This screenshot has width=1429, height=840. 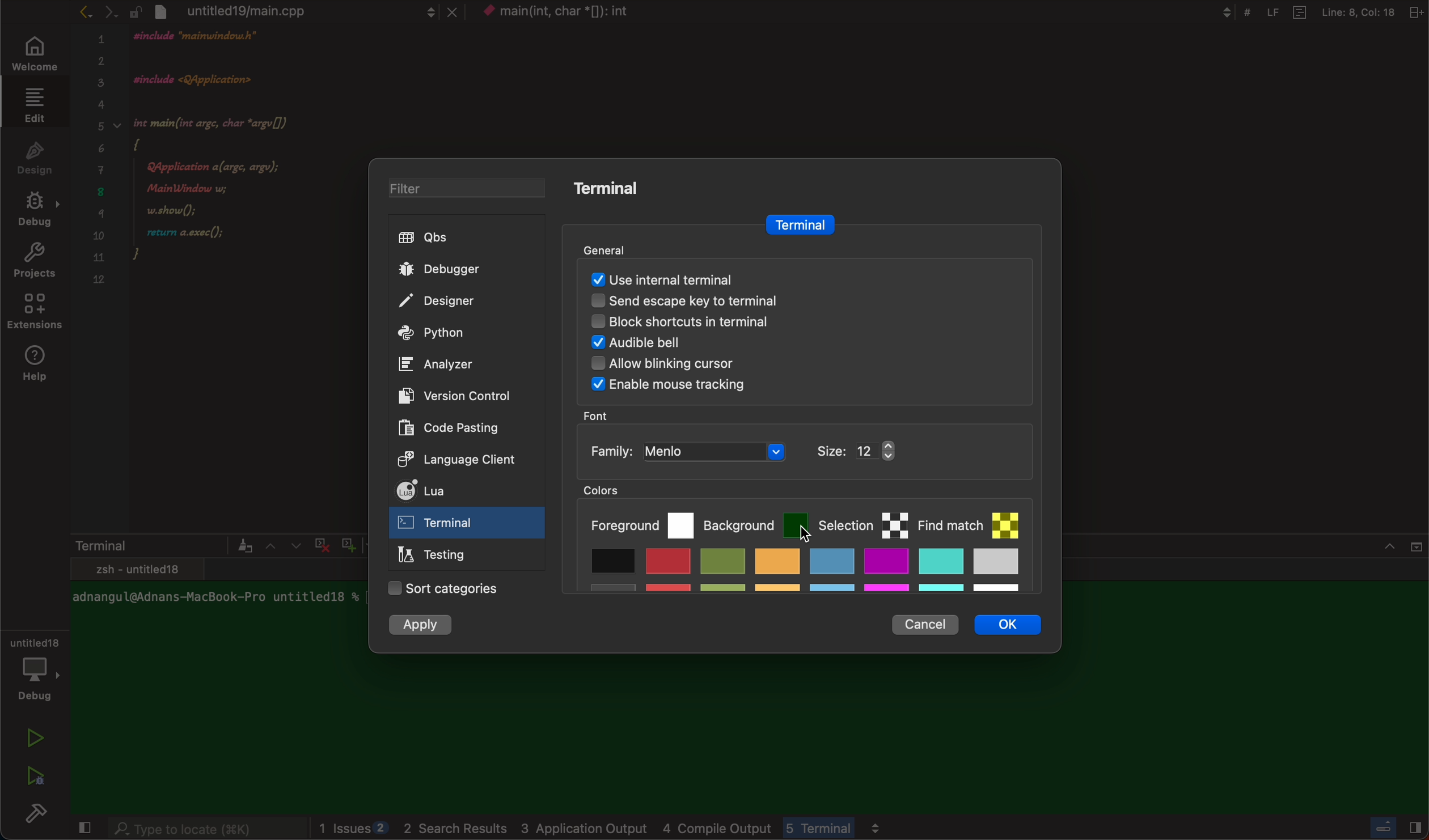 What do you see at coordinates (424, 626) in the screenshot?
I see `apply` at bounding box center [424, 626].